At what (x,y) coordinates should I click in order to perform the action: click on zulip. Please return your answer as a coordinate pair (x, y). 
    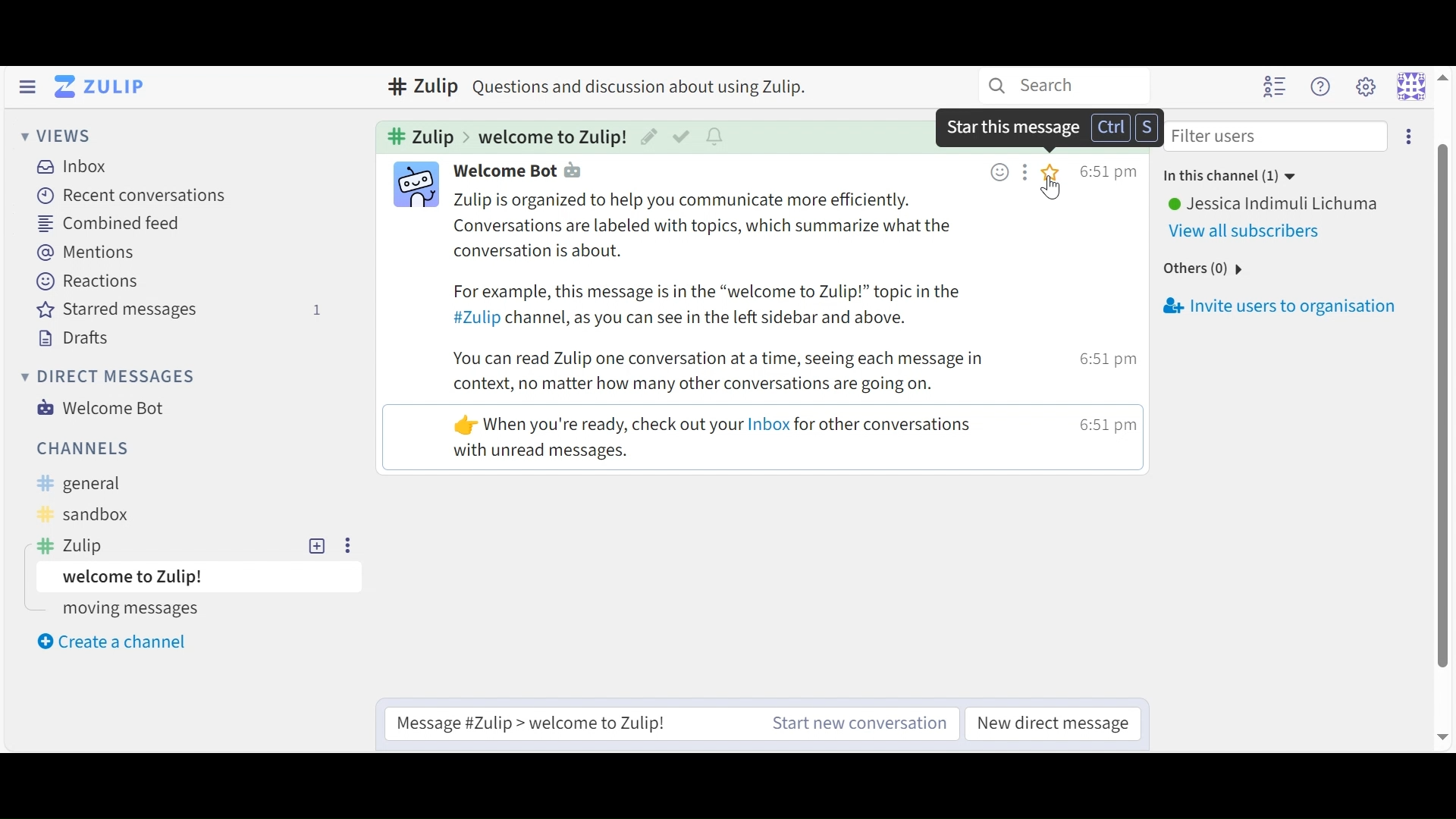
    Looking at the image, I should click on (414, 87).